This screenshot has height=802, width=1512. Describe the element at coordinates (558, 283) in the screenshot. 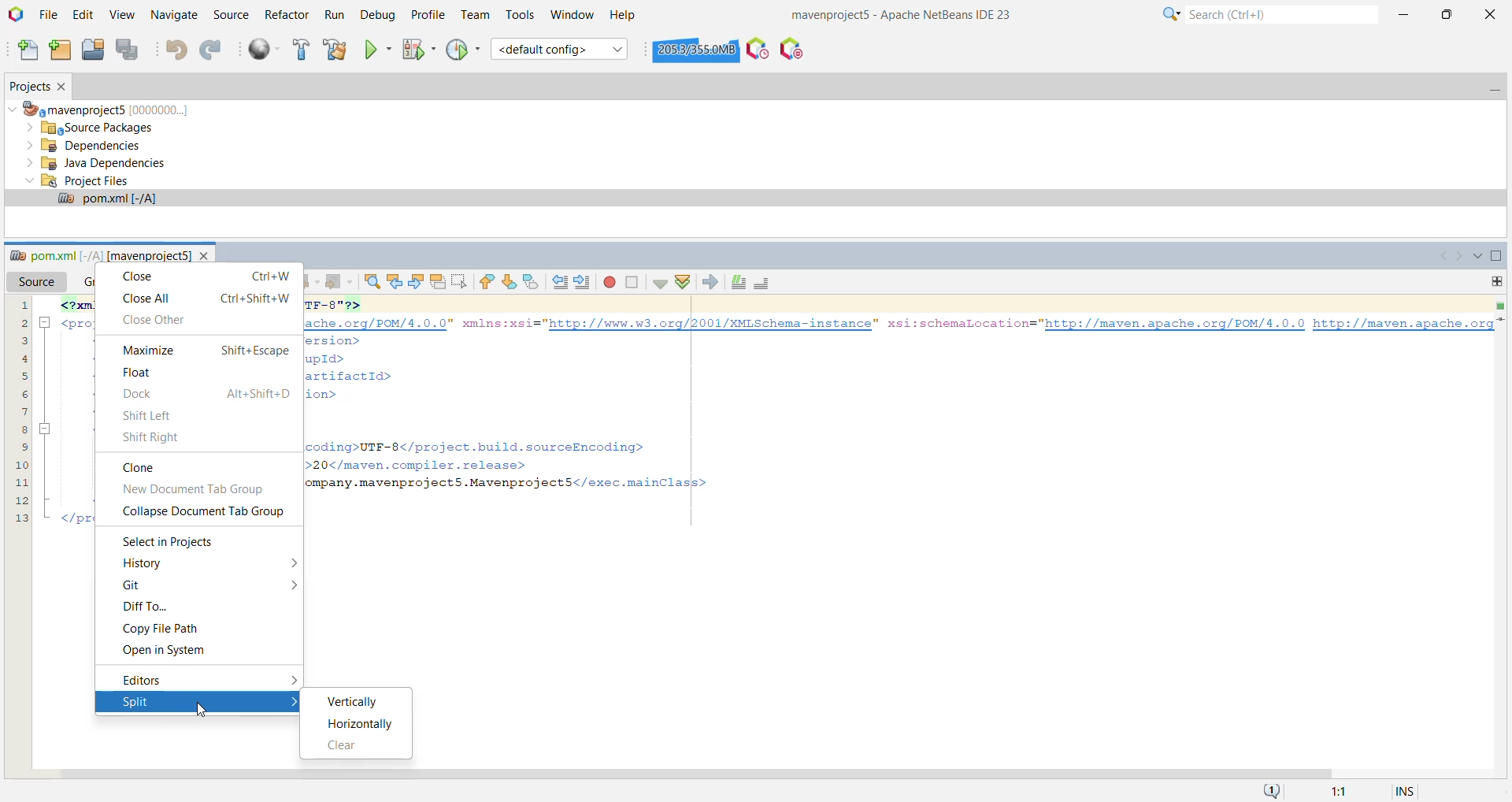

I see `Shift Line Left` at that location.